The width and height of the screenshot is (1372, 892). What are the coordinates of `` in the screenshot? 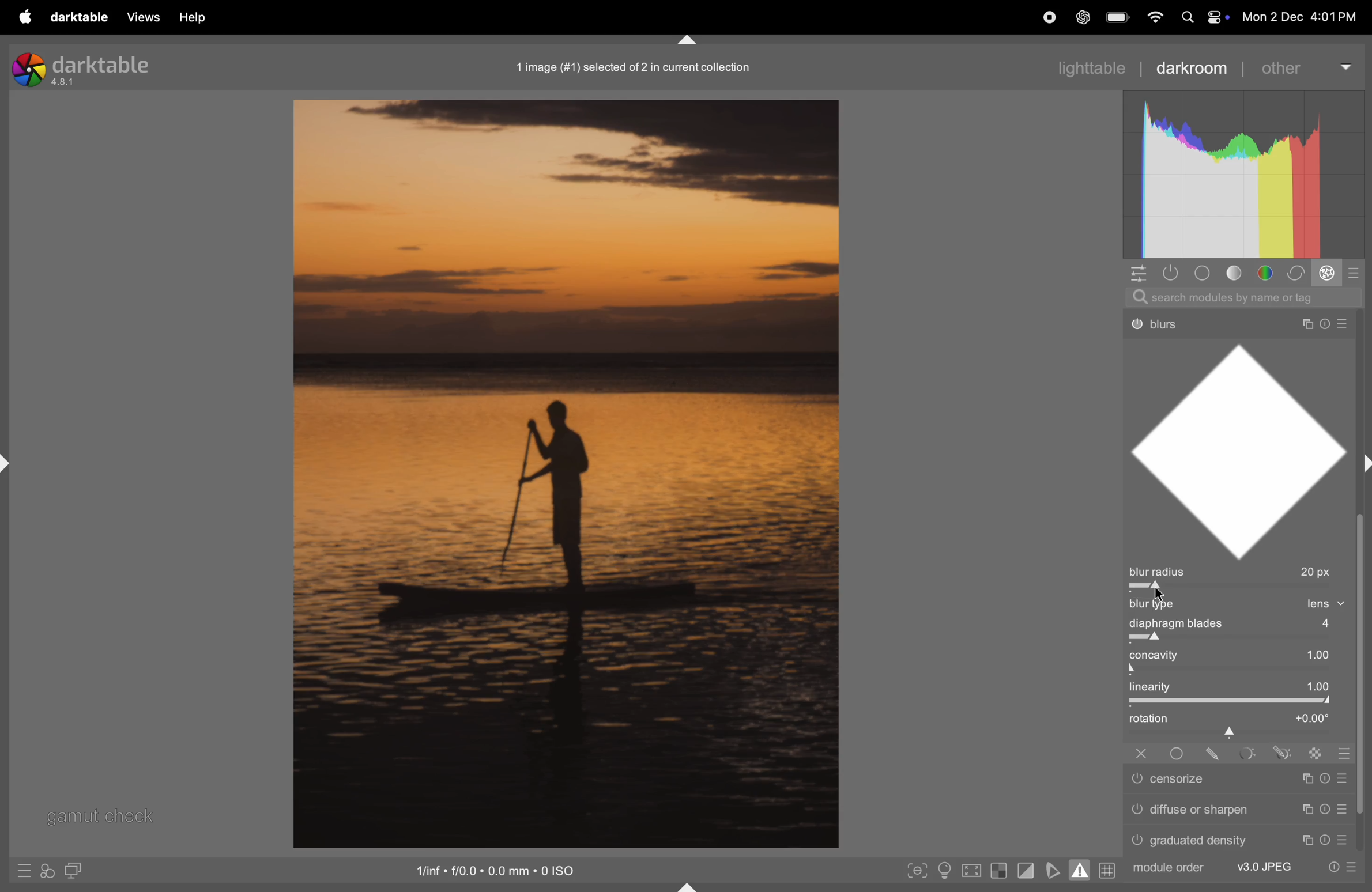 It's located at (1237, 810).